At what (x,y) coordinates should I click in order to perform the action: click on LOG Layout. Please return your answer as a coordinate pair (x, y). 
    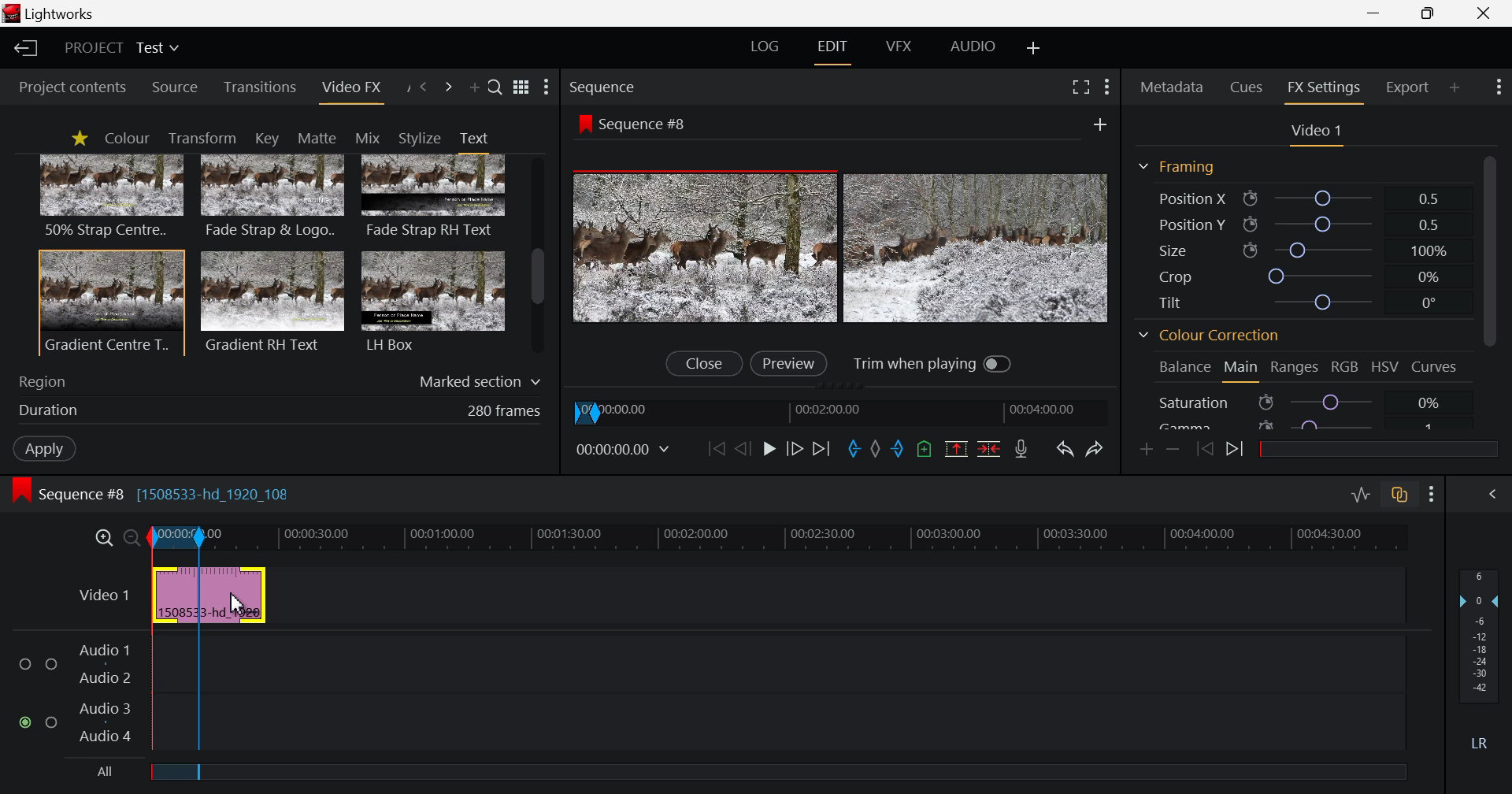
    Looking at the image, I should click on (767, 49).